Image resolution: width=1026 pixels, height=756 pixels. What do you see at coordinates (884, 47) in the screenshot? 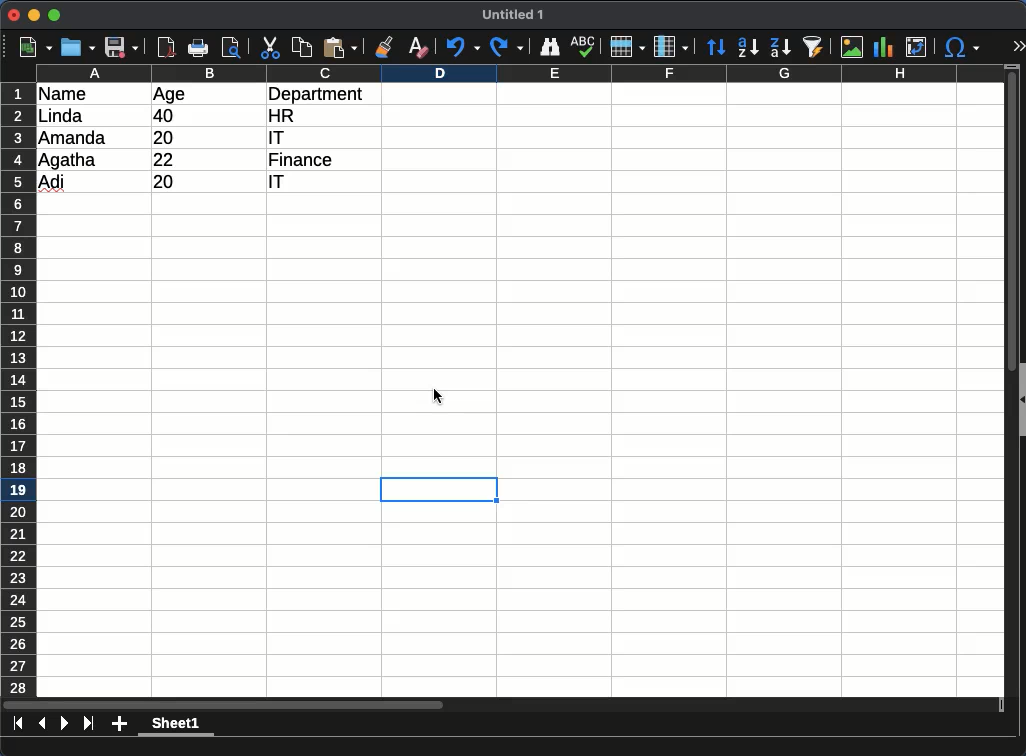
I see `chart` at bounding box center [884, 47].